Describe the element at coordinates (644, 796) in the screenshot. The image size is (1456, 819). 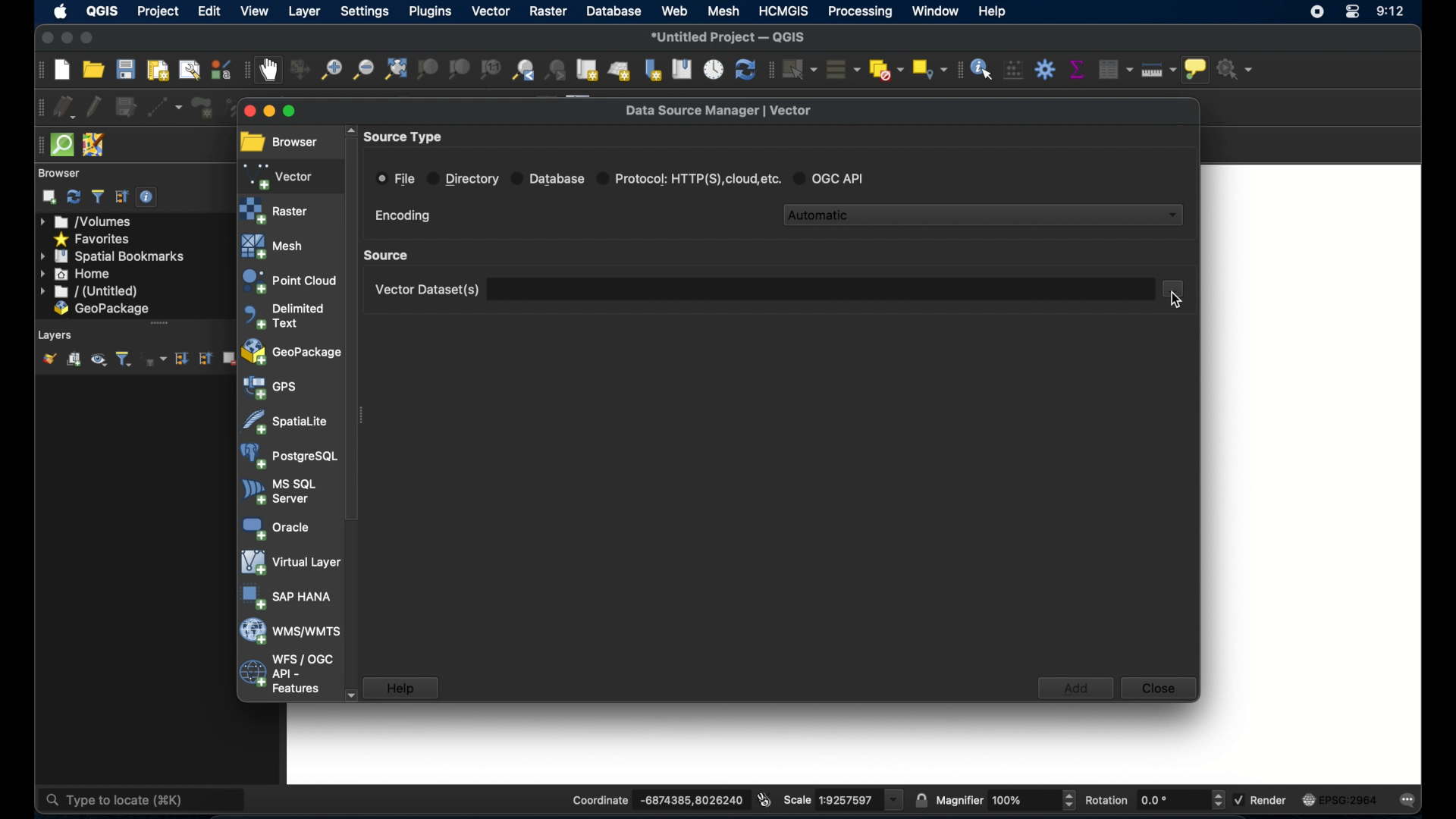
I see `coordinate ` at that location.